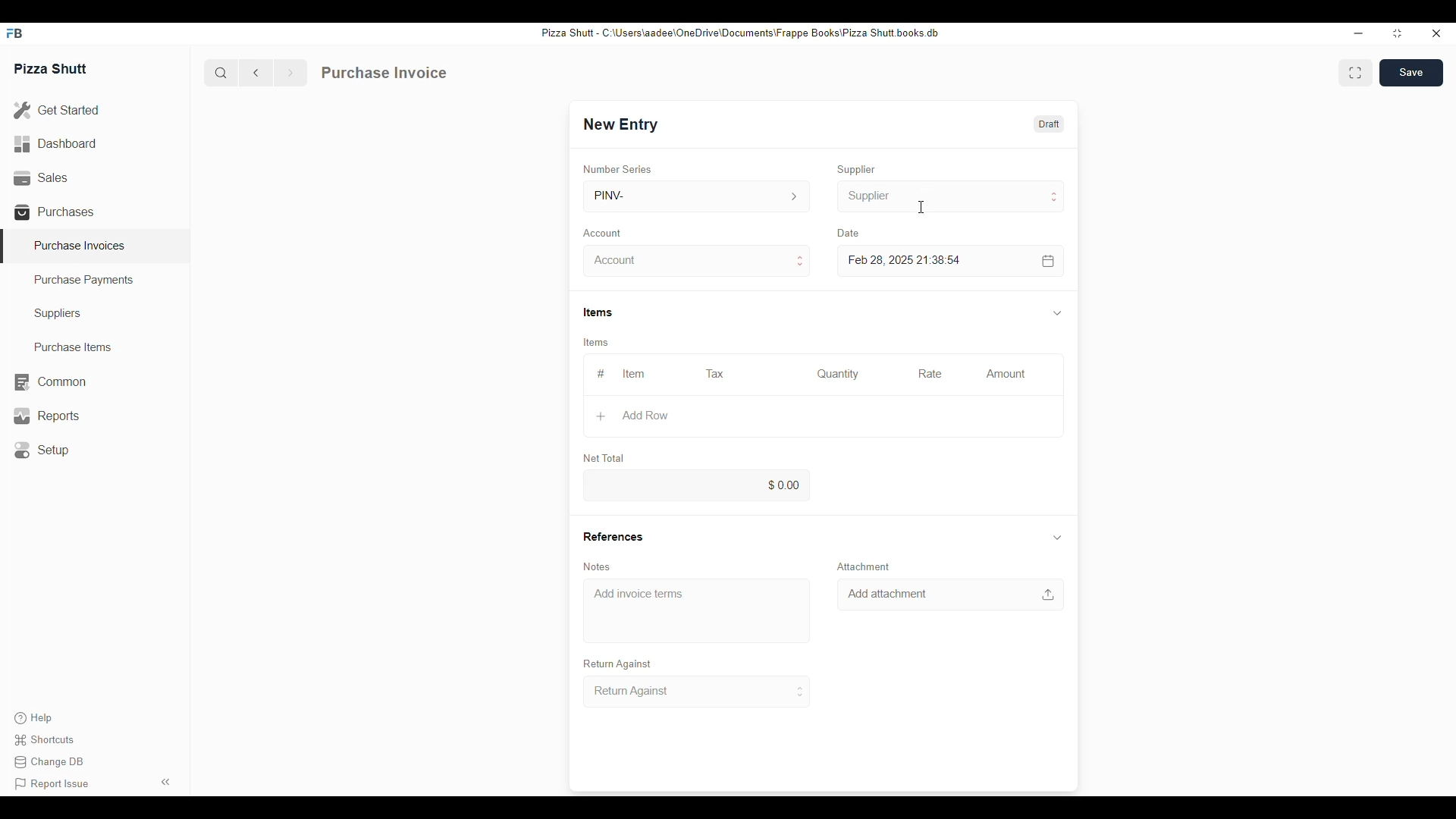  I want to click on New Entry, so click(622, 124).